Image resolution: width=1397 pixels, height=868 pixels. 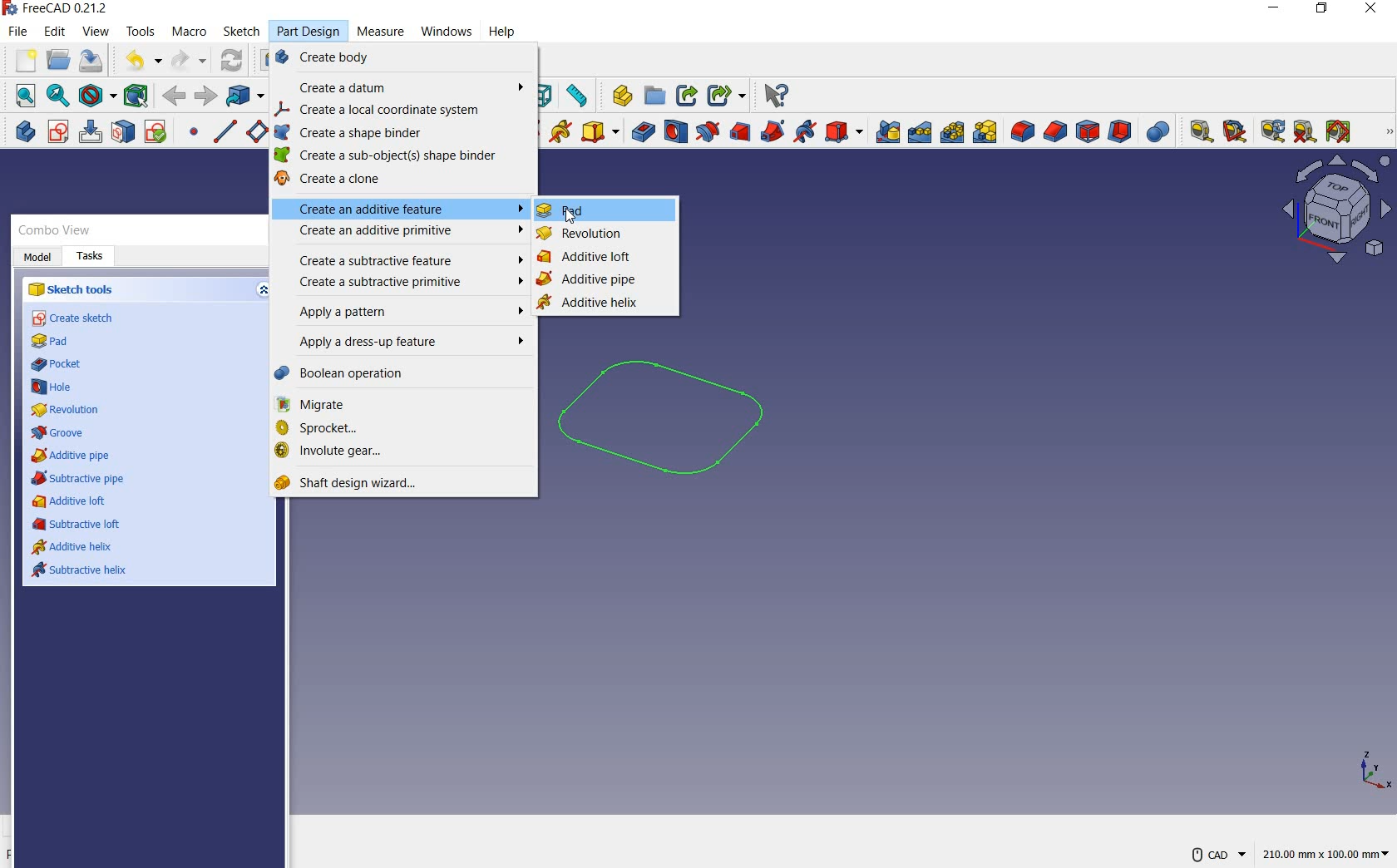 What do you see at coordinates (1120, 132) in the screenshot?
I see `thickness` at bounding box center [1120, 132].